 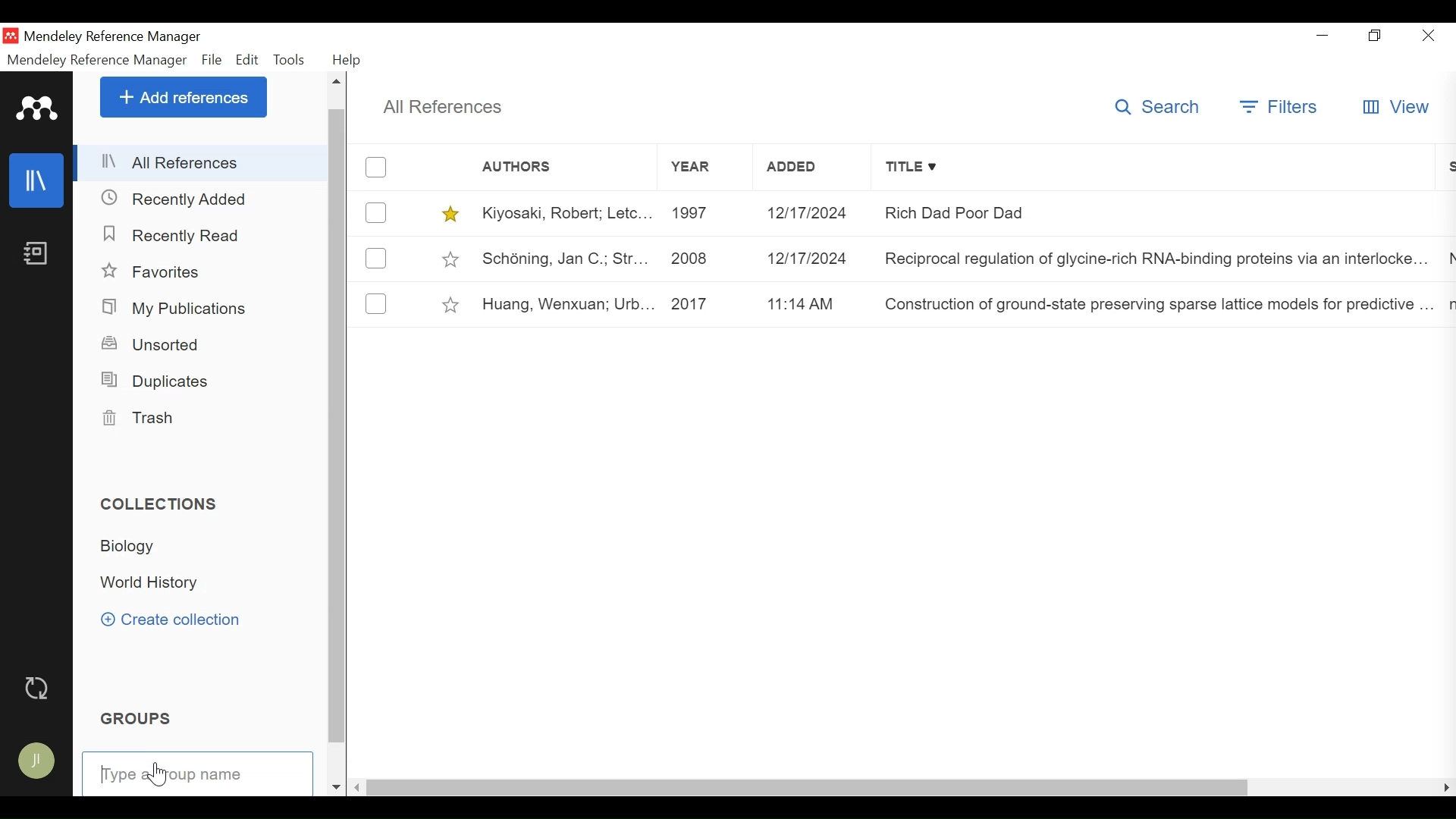 I want to click on Vertical Scroll bar, so click(x=338, y=434).